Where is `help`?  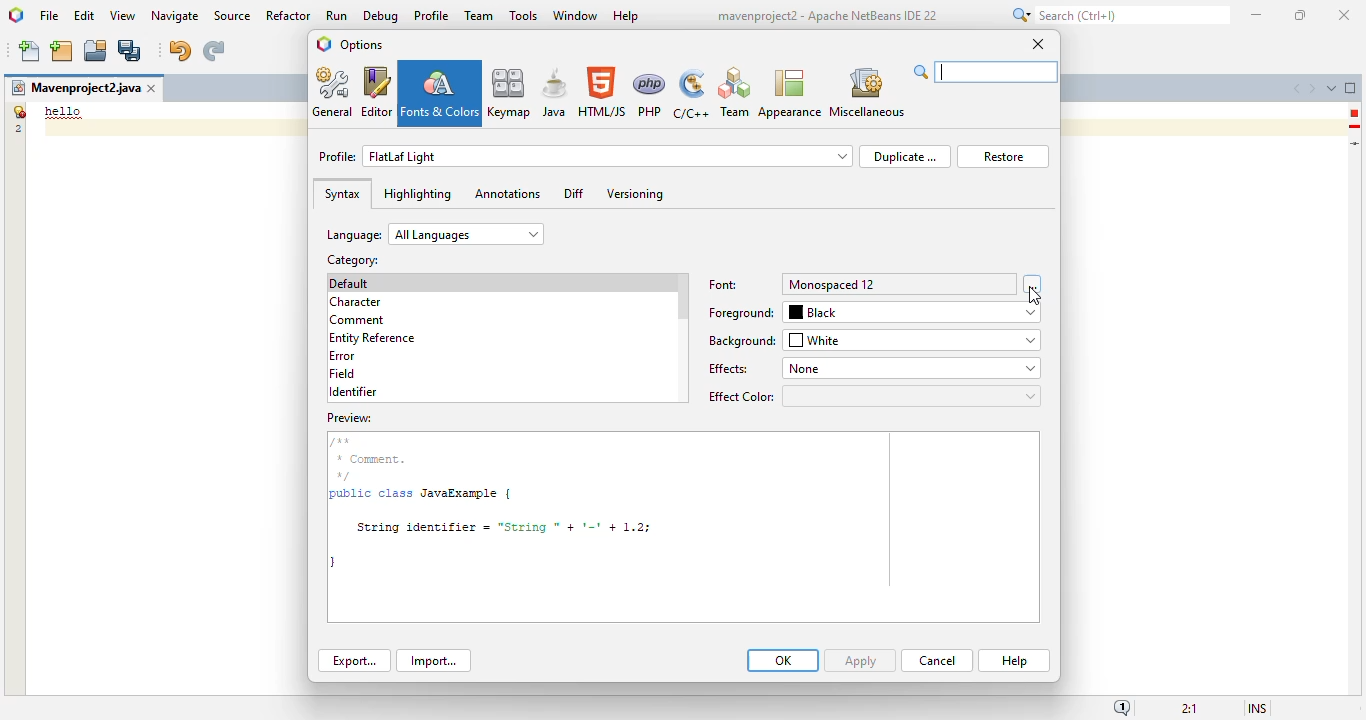 help is located at coordinates (1015, 661).